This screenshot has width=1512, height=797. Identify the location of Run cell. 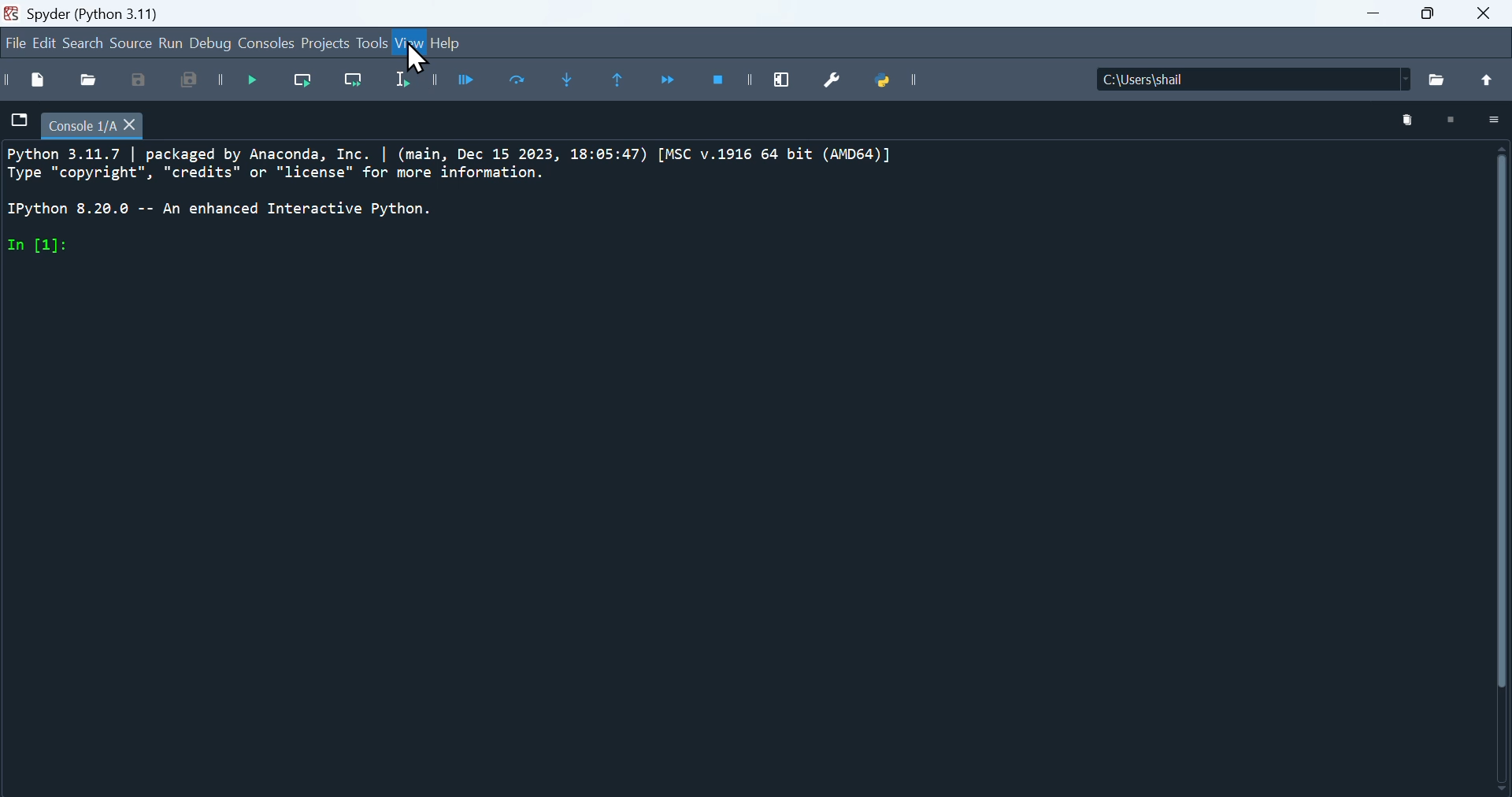
(472, 81).